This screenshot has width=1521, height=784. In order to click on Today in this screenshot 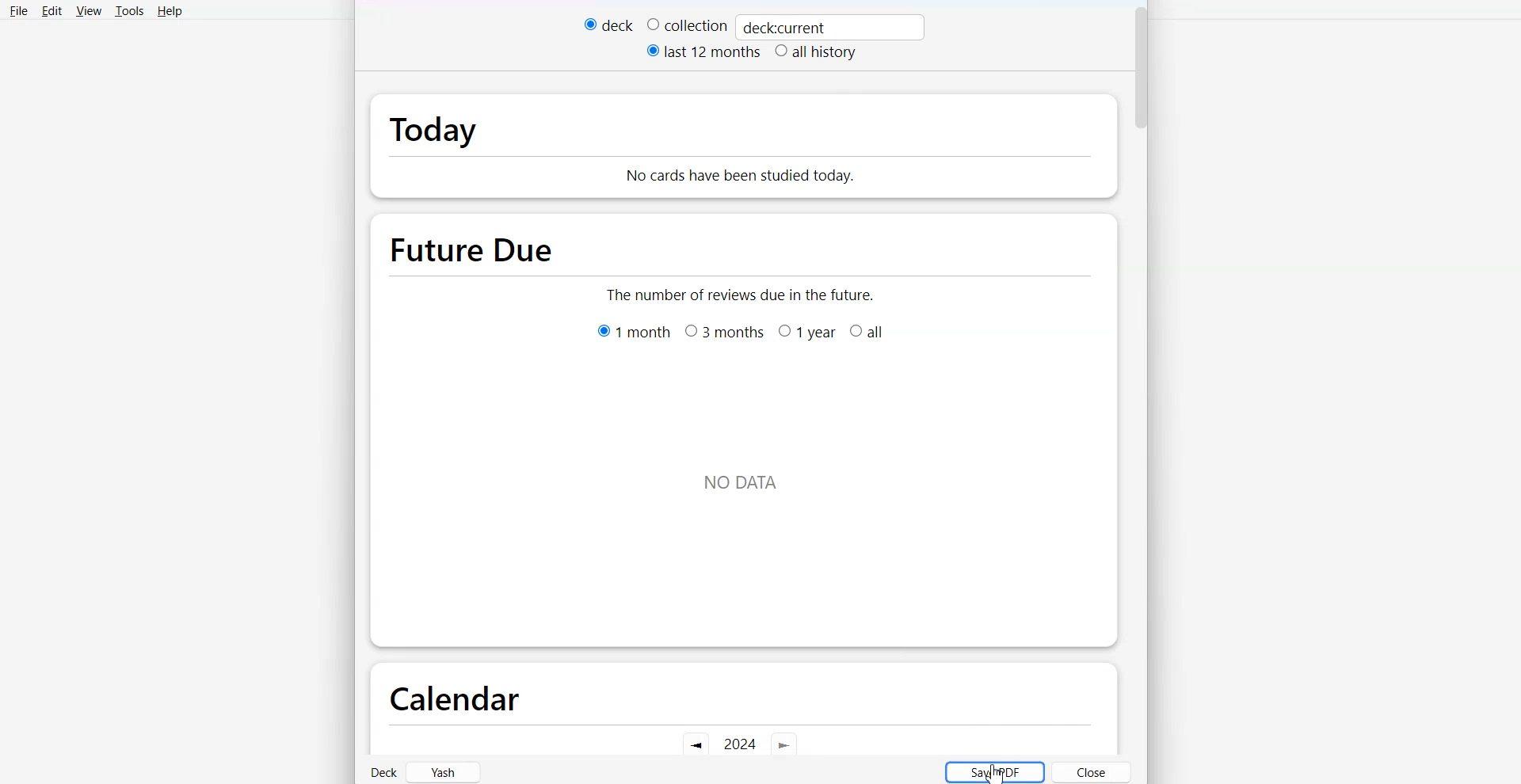, I will do `click(479, 125)`.